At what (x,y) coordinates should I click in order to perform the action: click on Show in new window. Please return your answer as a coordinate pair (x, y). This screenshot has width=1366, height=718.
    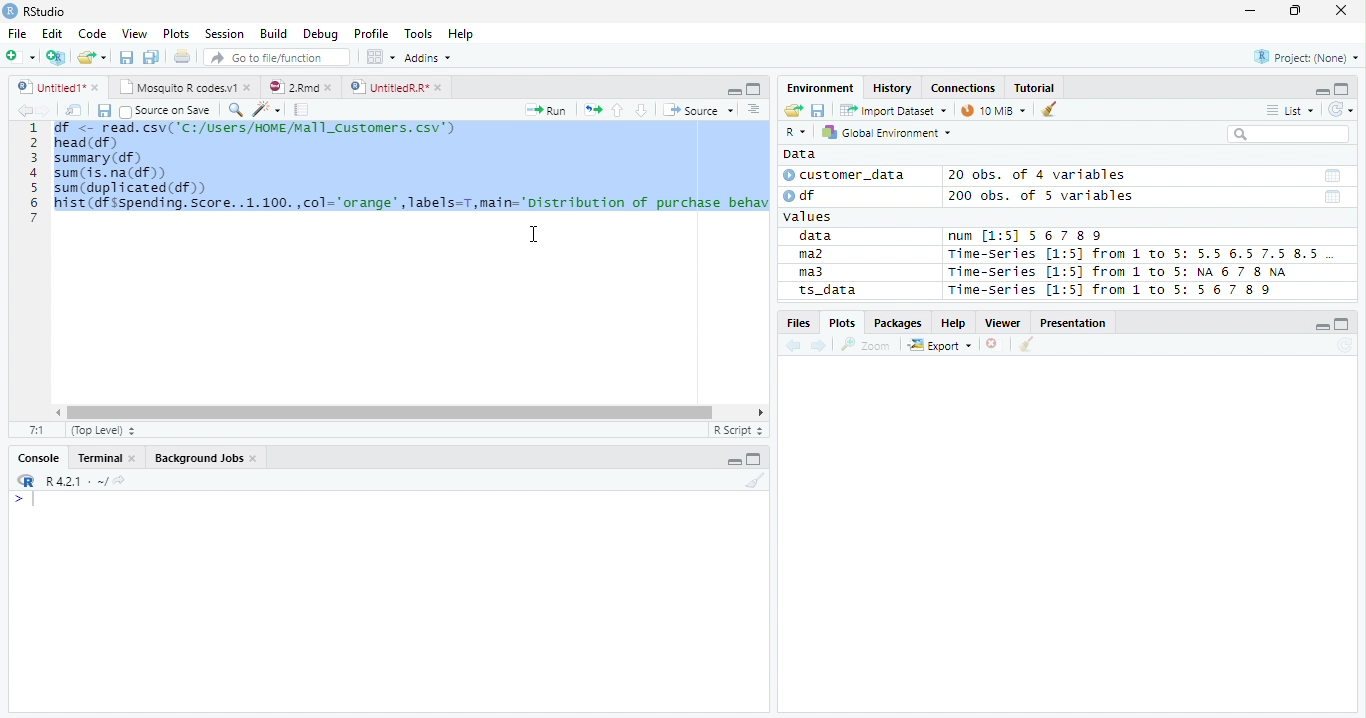
    Looking at the image, I should click on (75, 110).